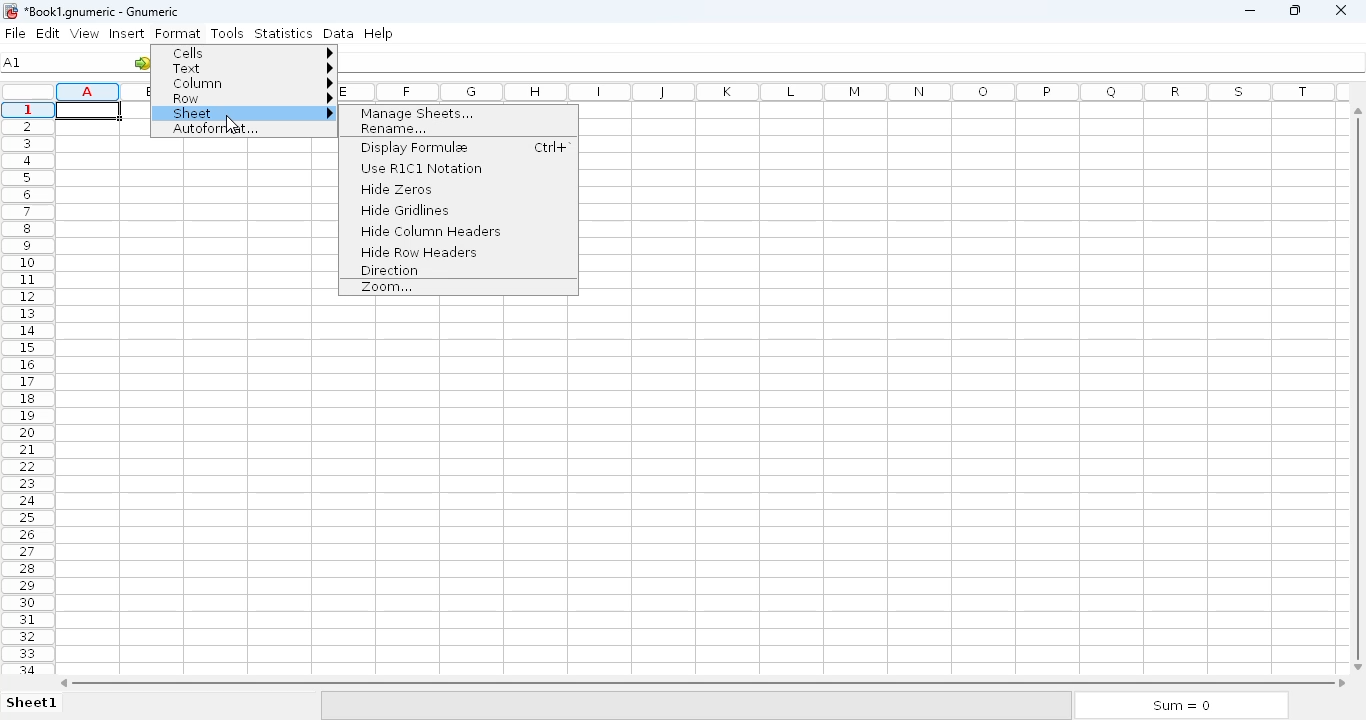  Describe the element at coordinates (9, 10) in the screenshot. I see `logo` at that location.